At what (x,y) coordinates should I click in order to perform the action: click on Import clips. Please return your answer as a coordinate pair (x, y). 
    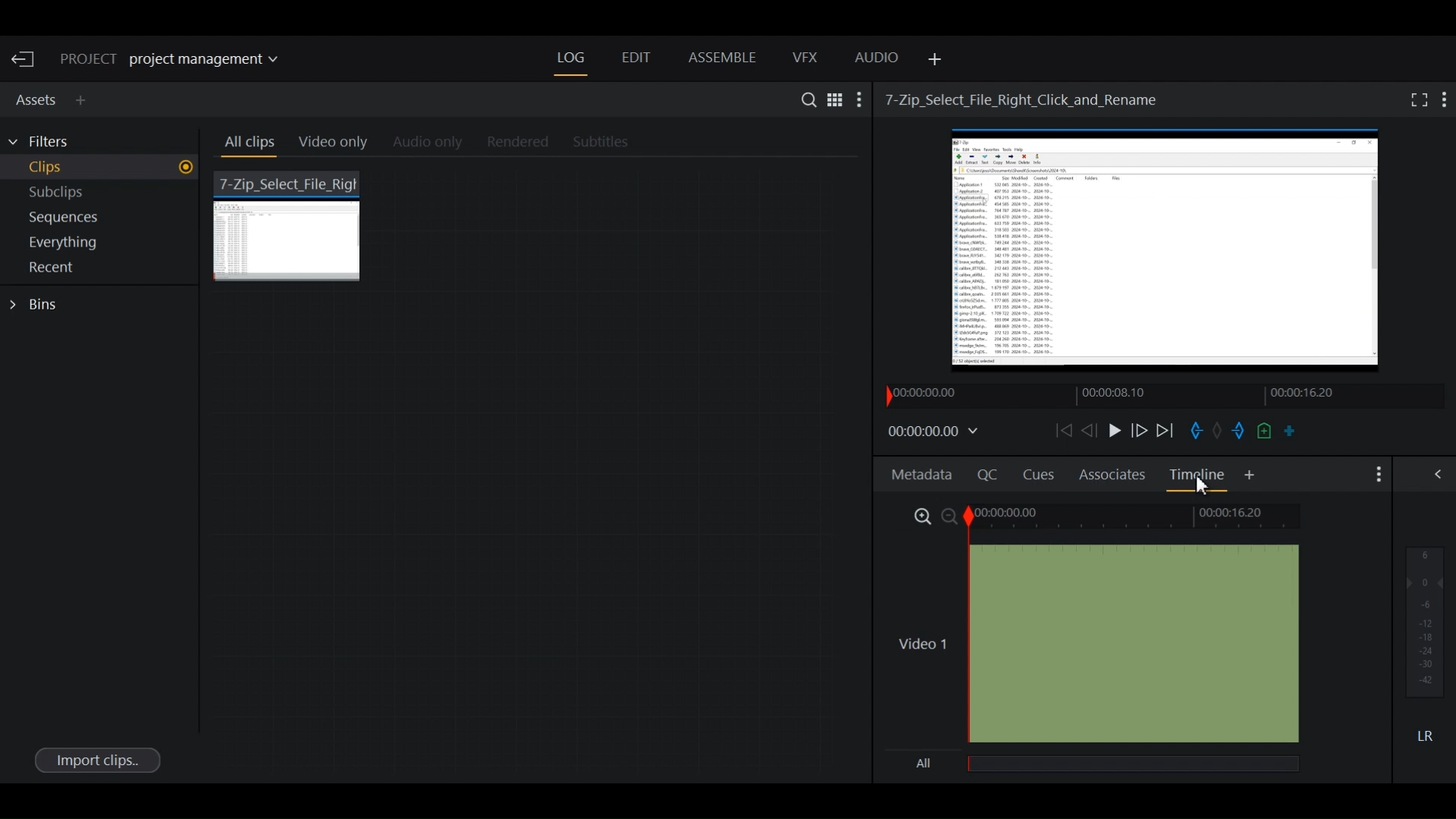
    Looking at the image, I should click on (96, 759).